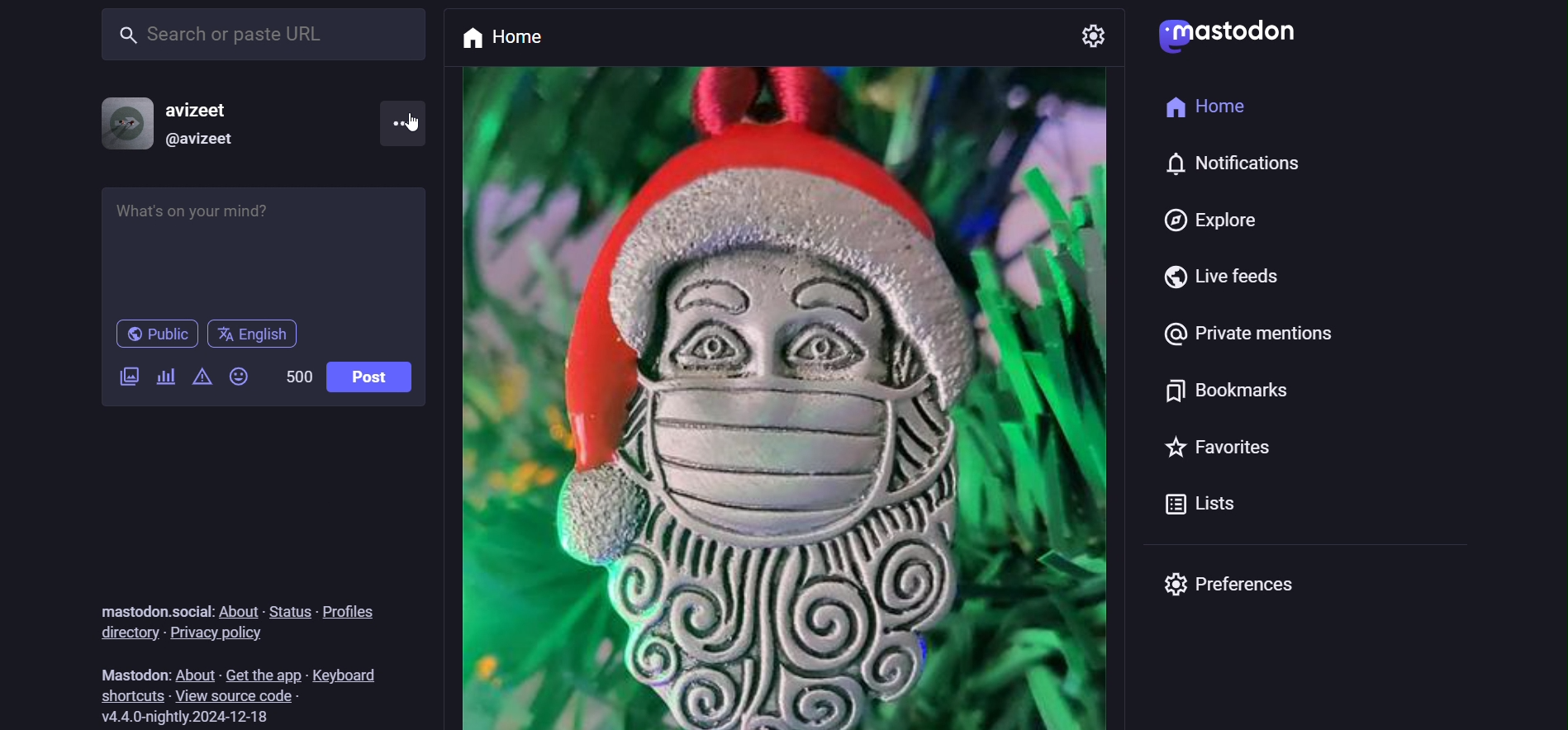 Image resolution: width=1568 pixels, height=730 pixels. Describe the element at coordinates (264, 248) in the screenshot. I see `whats on your mind` at that location.